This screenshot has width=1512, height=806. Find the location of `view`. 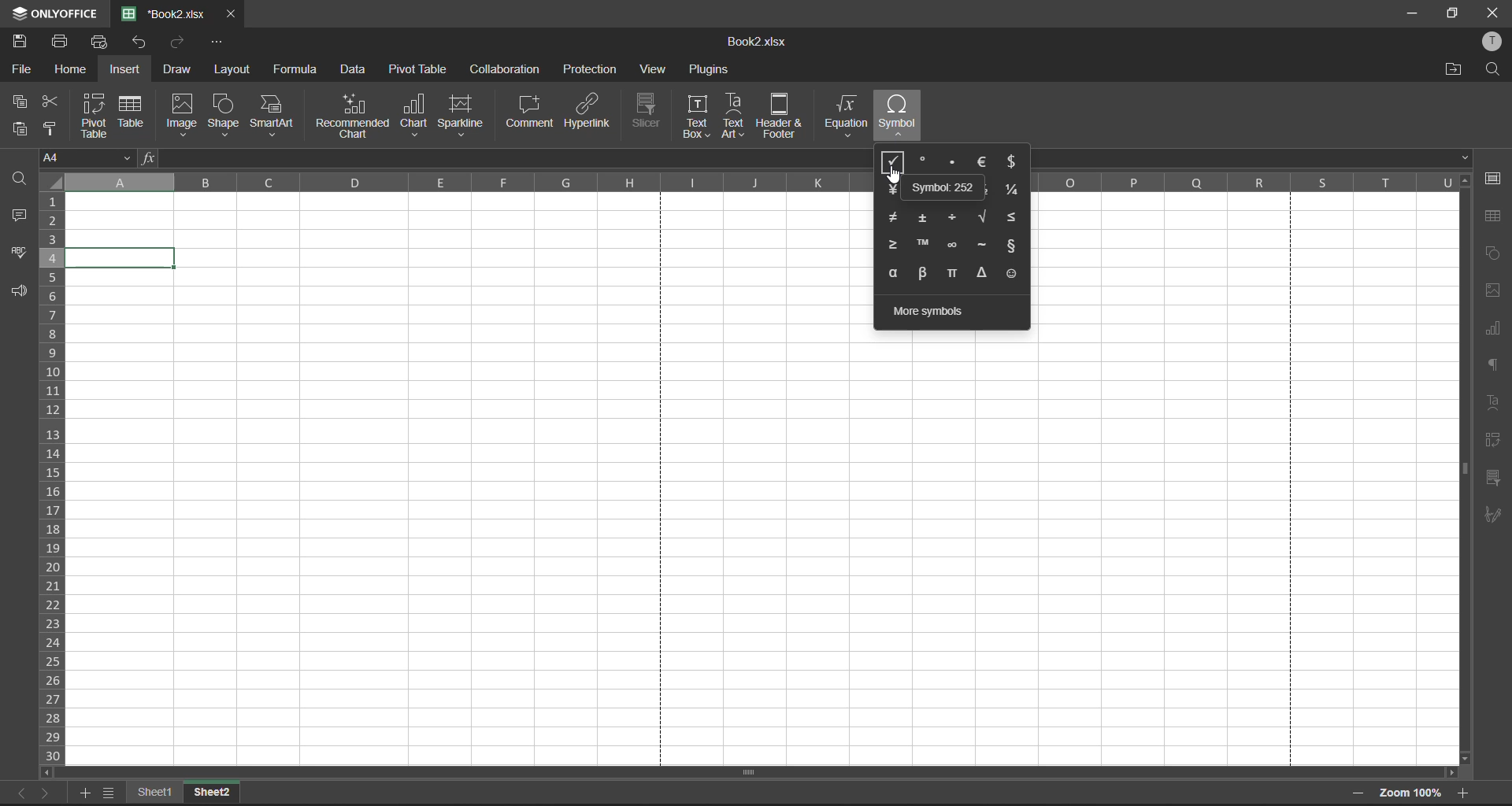

view is located at coordinates (652, 70).